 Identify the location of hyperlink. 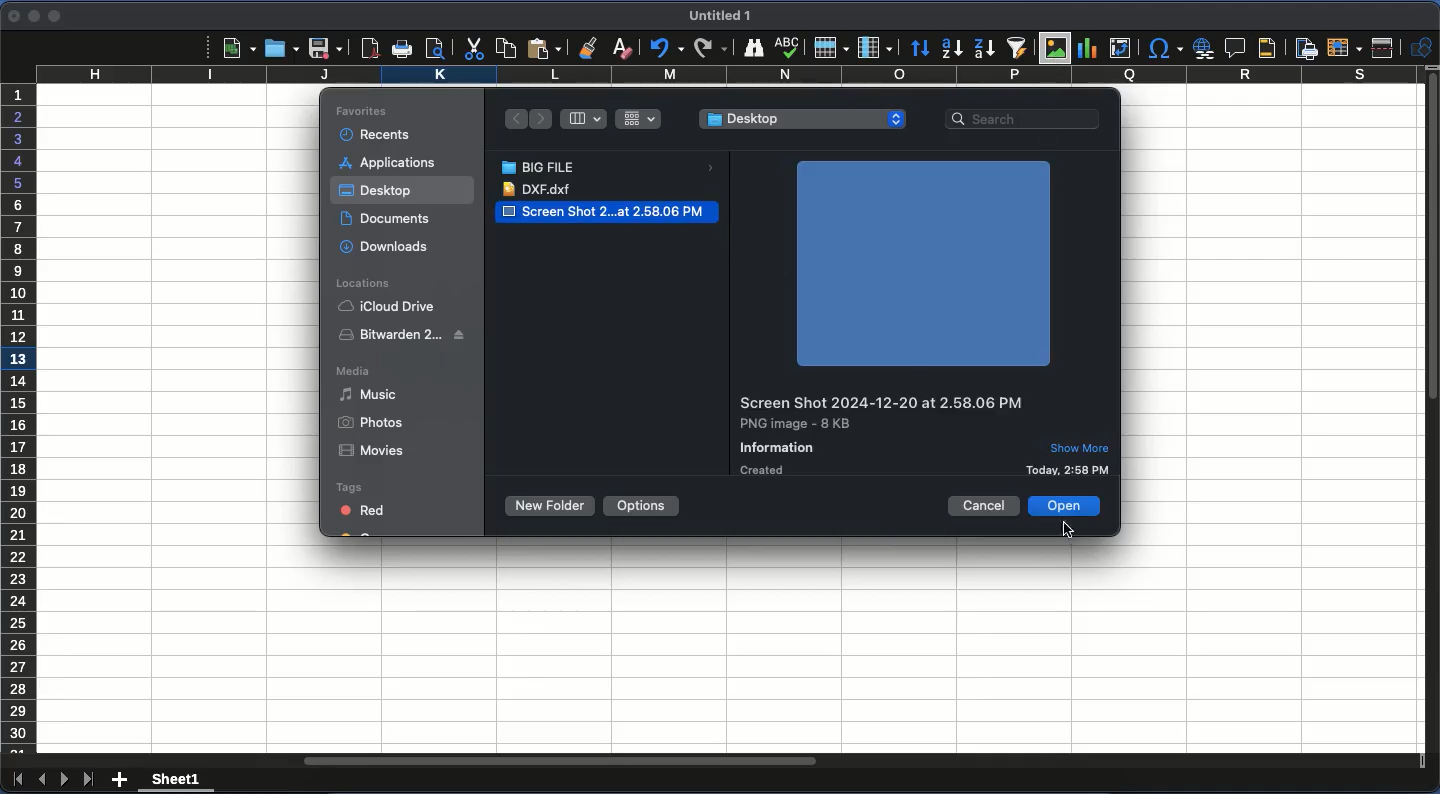
(1205, 48).